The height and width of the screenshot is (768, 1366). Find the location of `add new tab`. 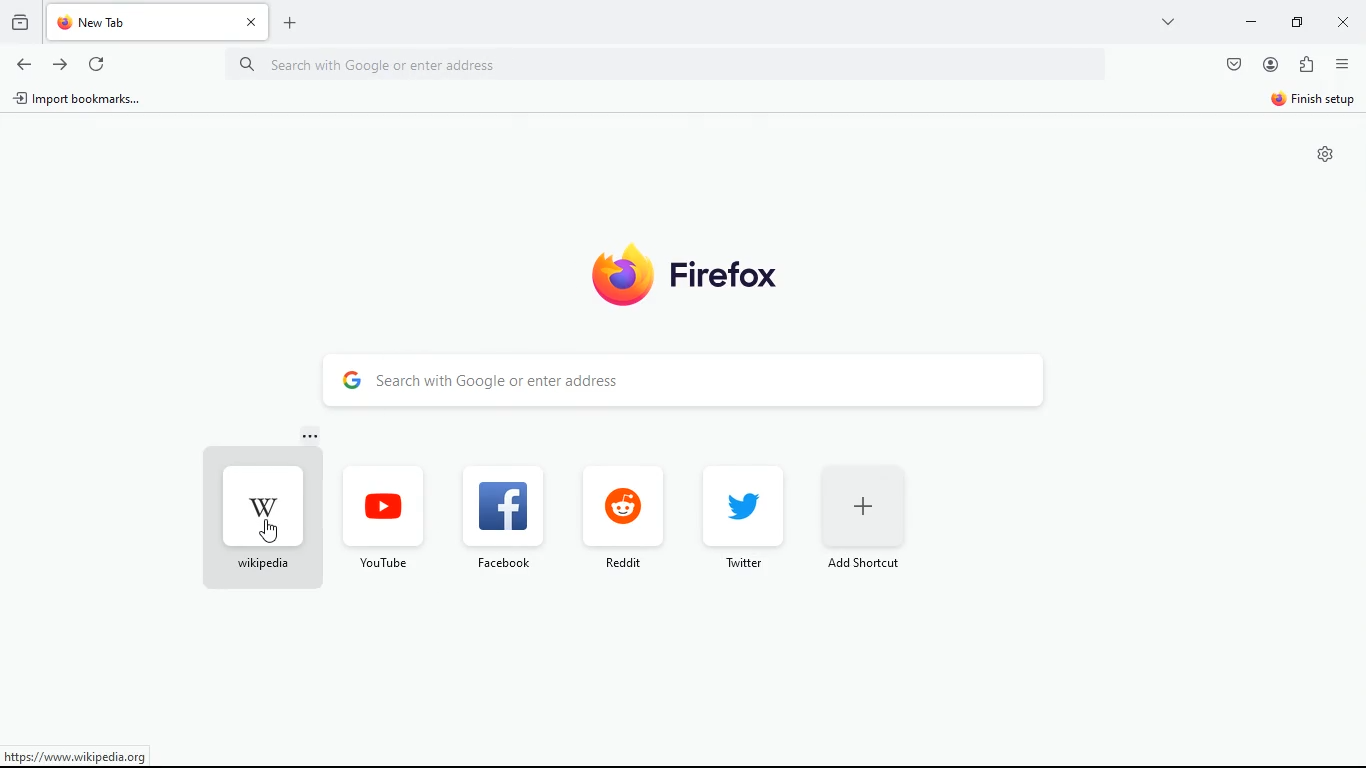

add new tab is located at coordinates (294, 21).